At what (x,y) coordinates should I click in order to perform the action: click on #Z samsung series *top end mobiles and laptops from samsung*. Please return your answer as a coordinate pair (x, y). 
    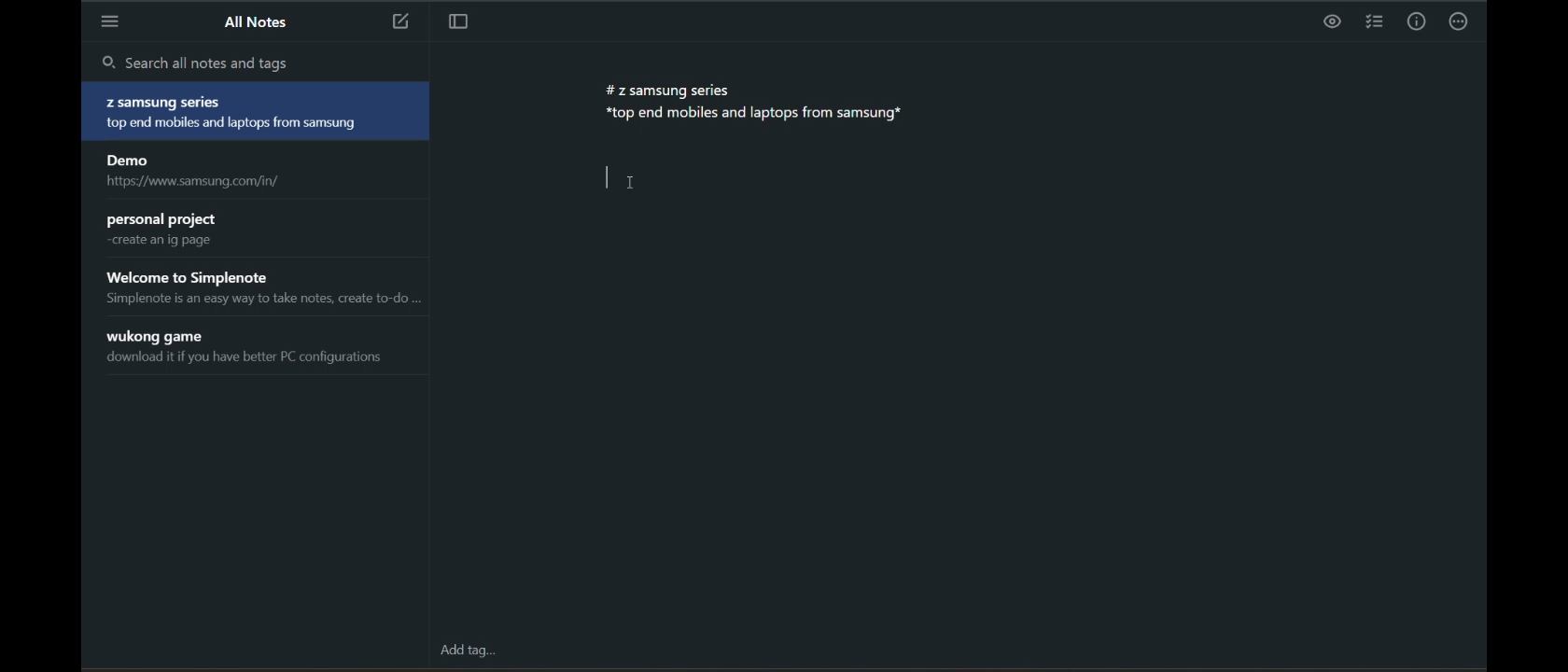
    Looking at the image, I should click on (258, 113).